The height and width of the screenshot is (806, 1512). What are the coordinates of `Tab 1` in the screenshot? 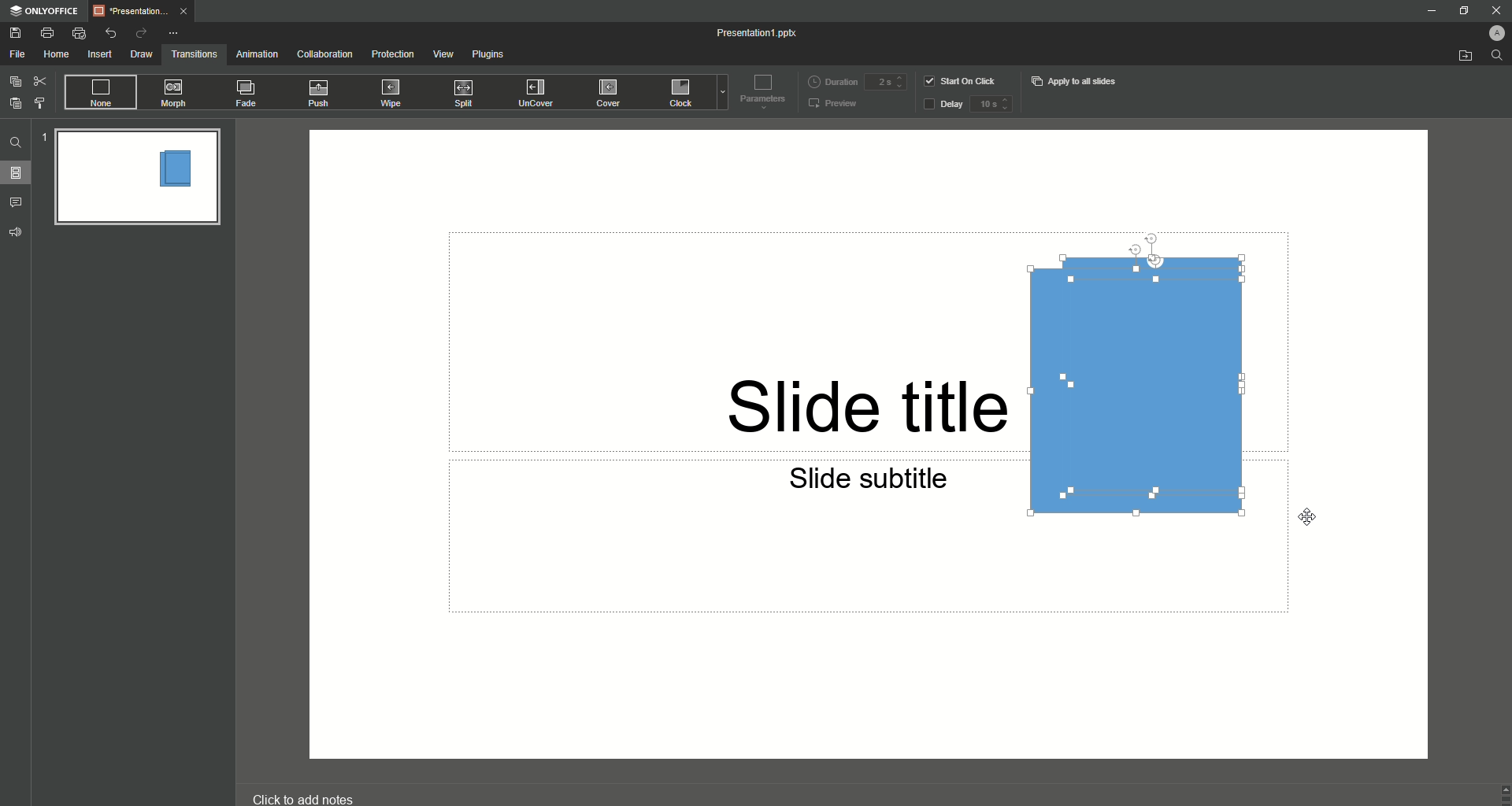 It's located at (145, 11).